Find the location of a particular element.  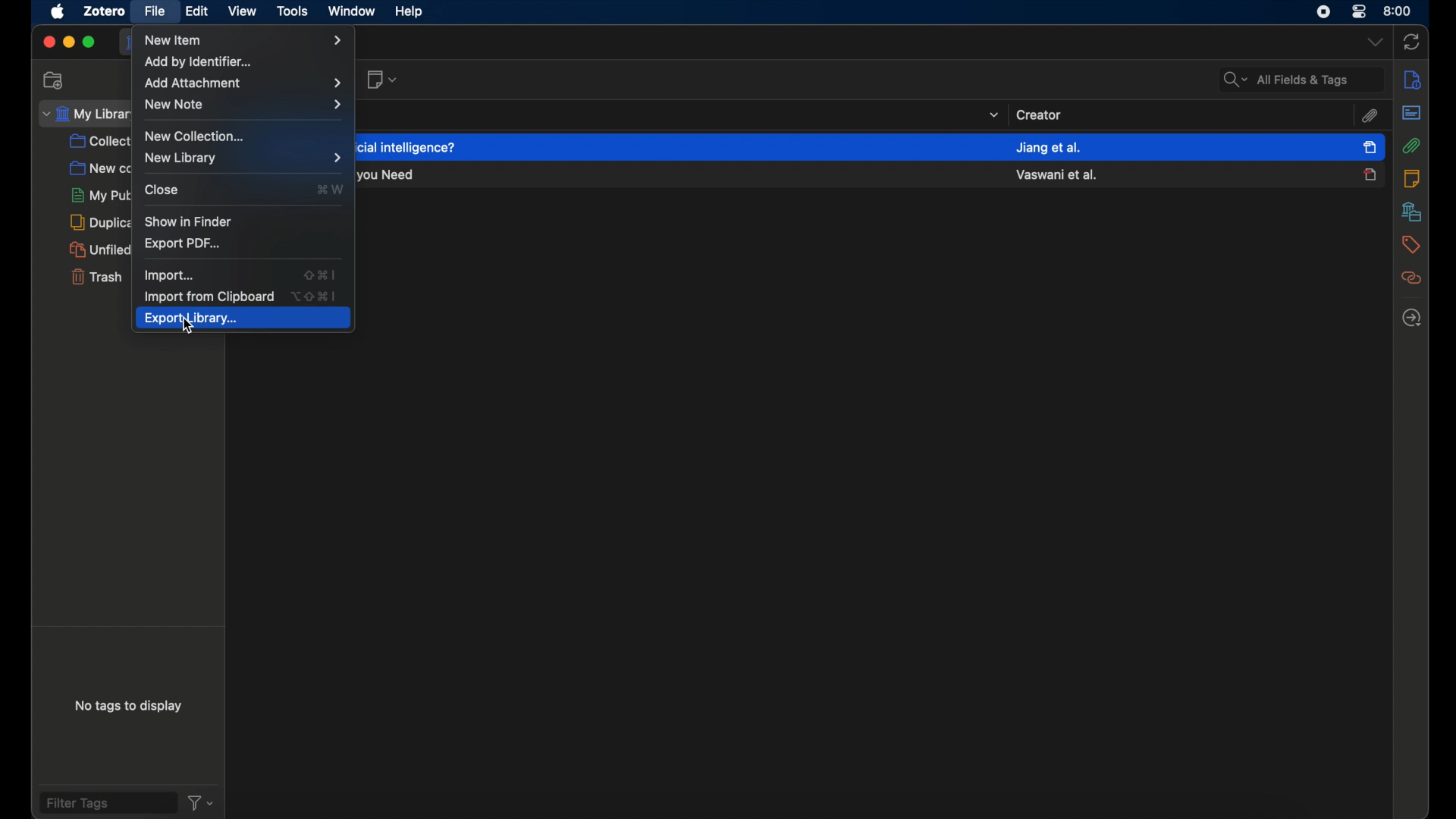

close is located at coordinates (48, 42).